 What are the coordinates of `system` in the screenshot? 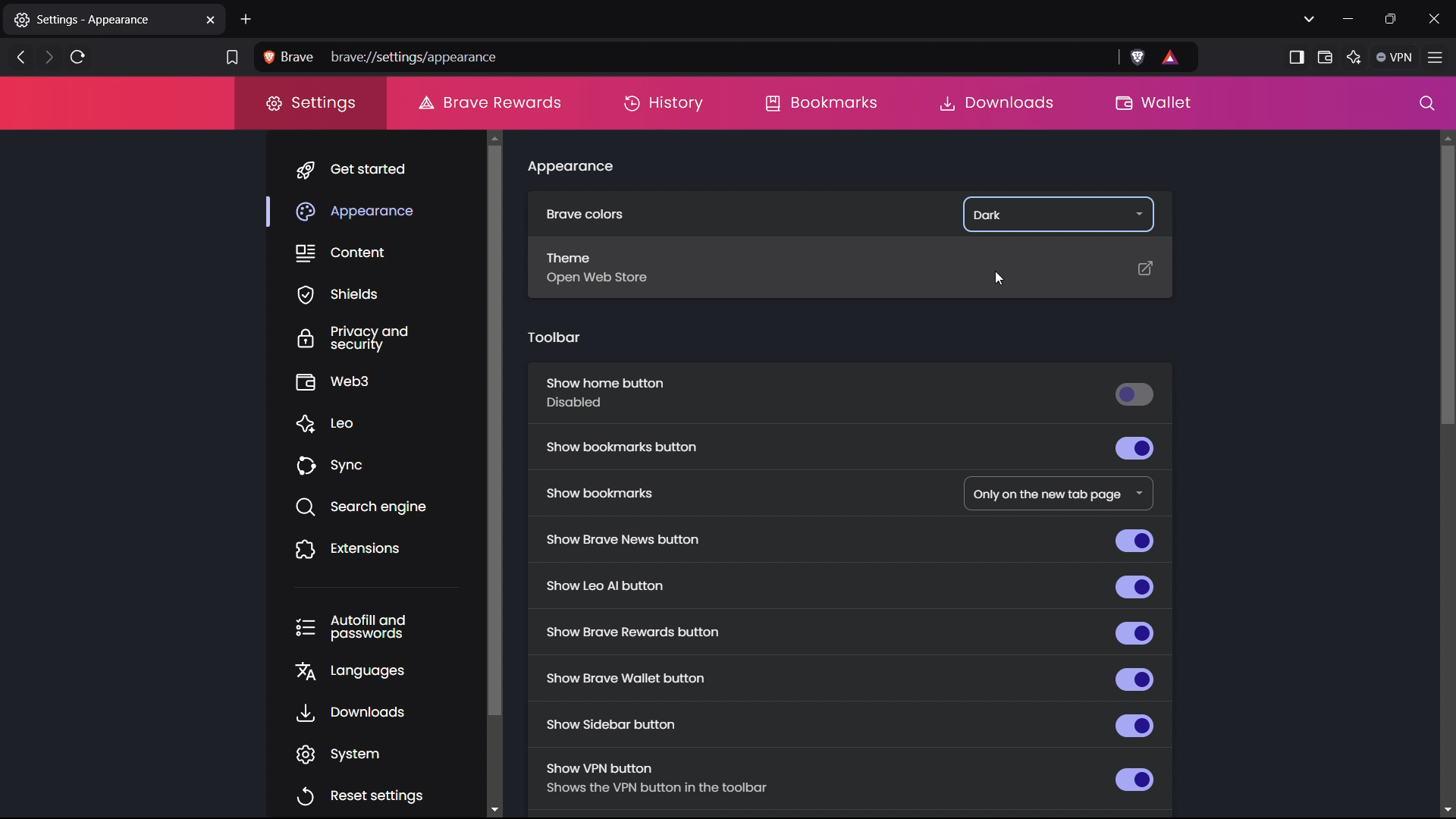 It's located at (381, 751).